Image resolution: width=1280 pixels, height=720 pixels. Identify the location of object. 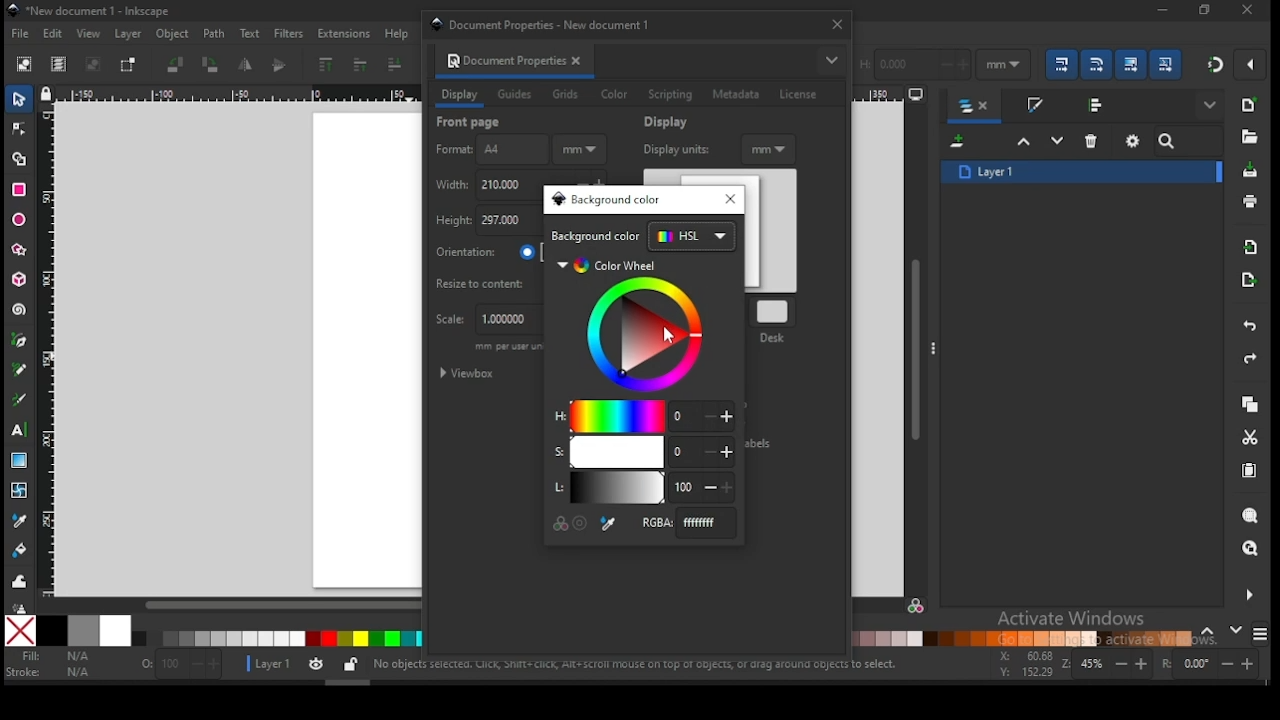
(173, 35).